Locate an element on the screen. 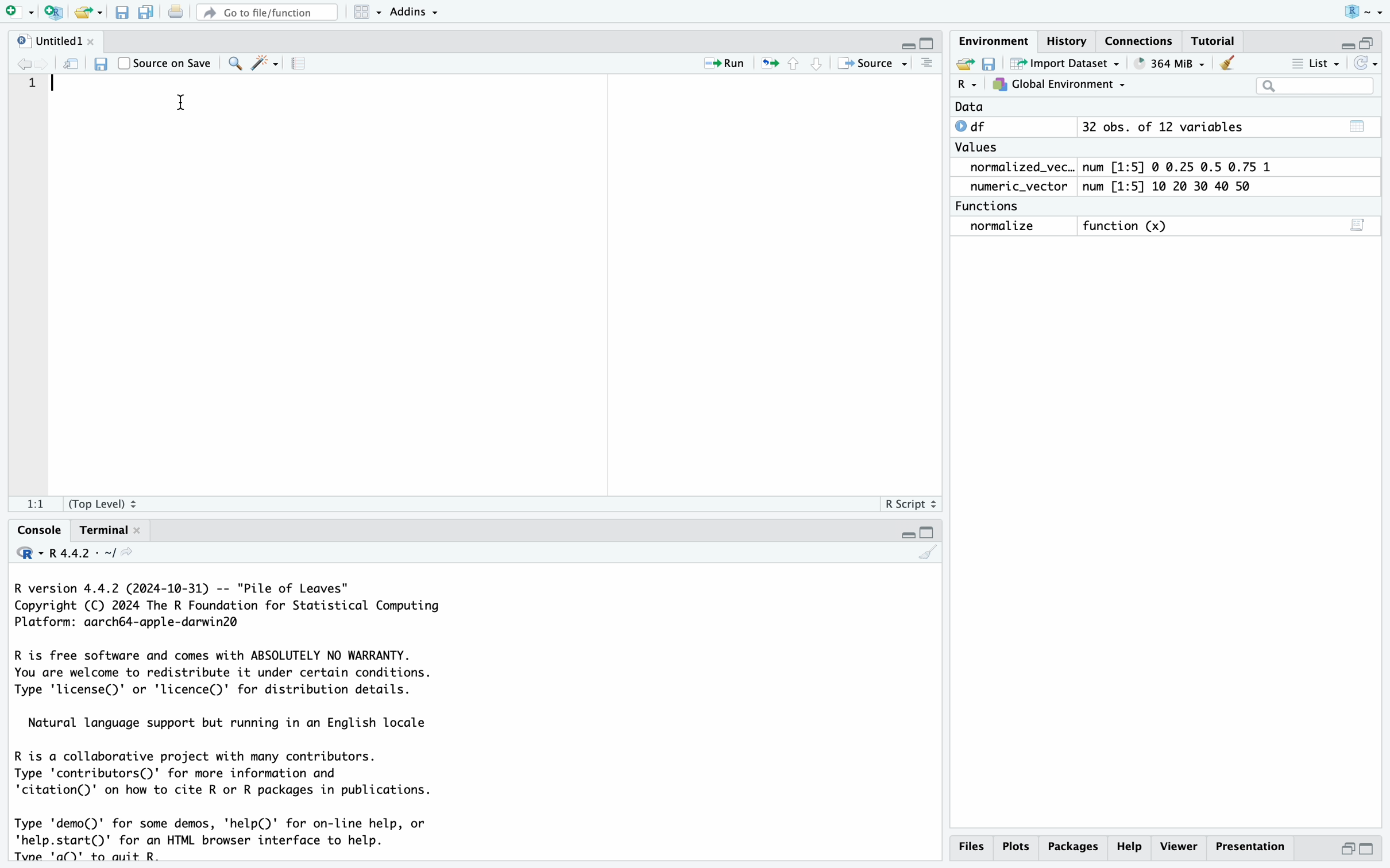  R.4.4.2 is located at coordinates (75, 553).